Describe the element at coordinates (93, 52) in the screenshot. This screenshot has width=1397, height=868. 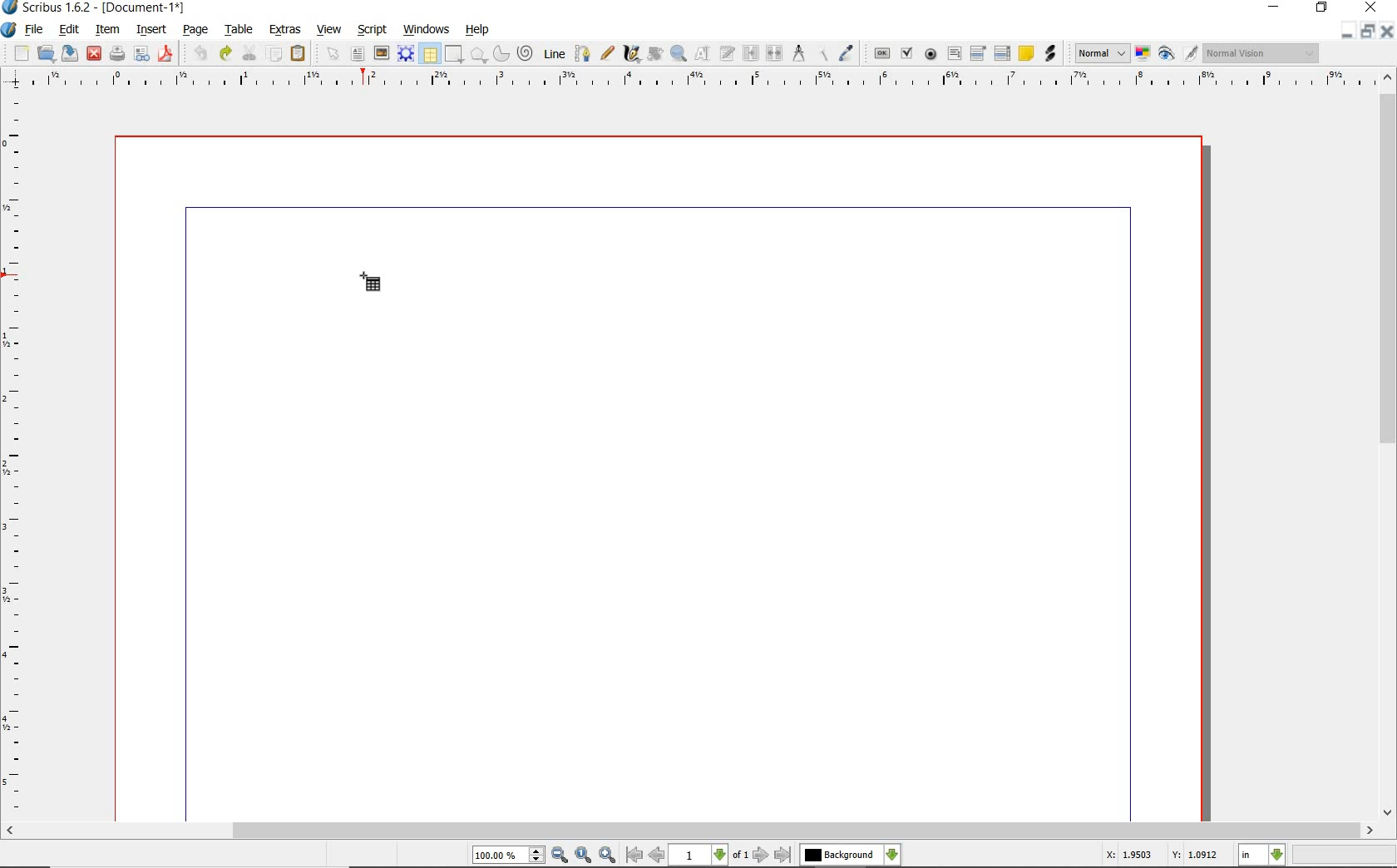
I see `close` at that location.